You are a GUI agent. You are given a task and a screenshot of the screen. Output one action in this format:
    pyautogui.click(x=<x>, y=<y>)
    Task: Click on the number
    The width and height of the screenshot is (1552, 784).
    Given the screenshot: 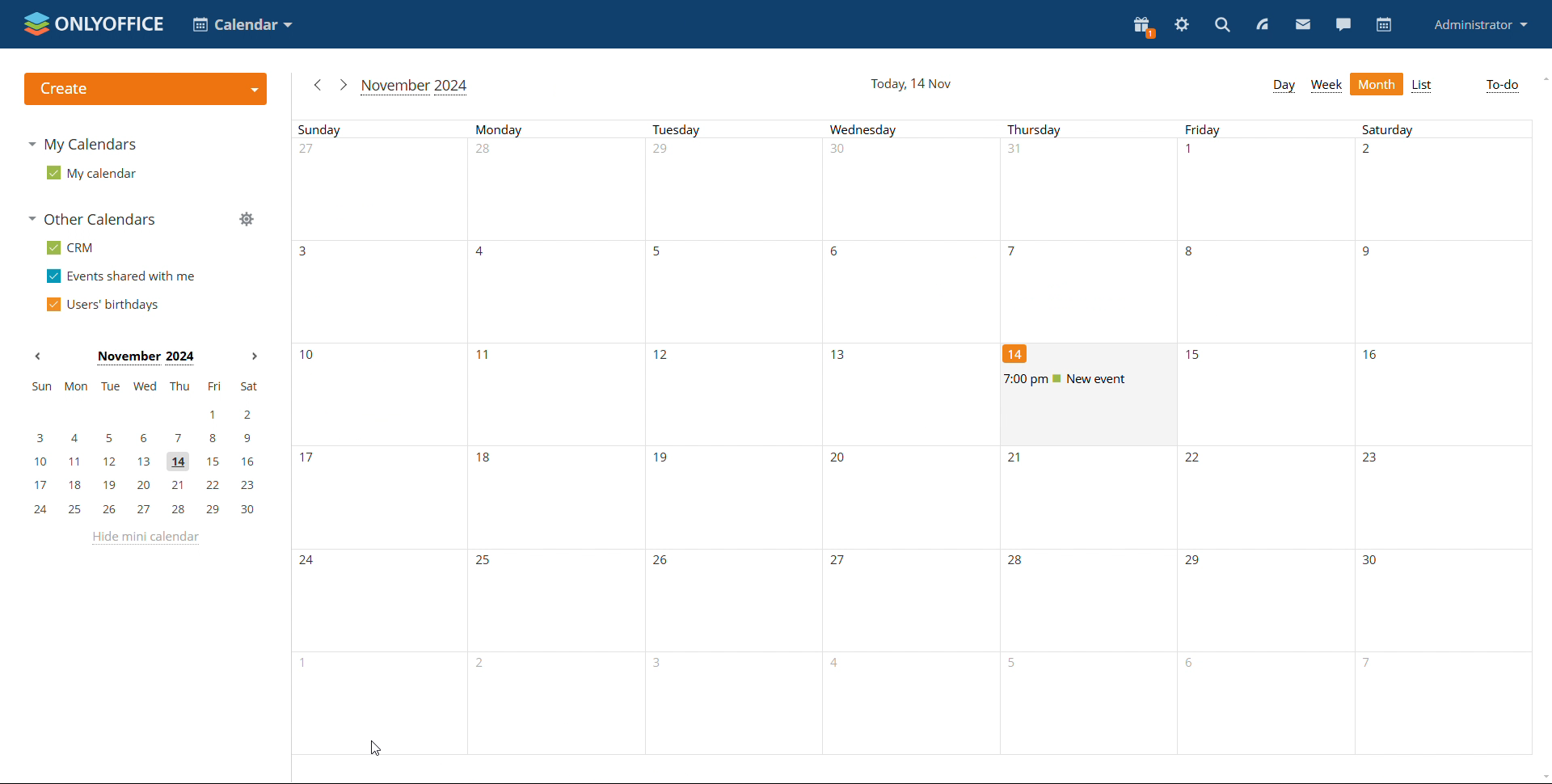 What is the action you would take?
    pyautogui.click(x=1372, y=460)
    